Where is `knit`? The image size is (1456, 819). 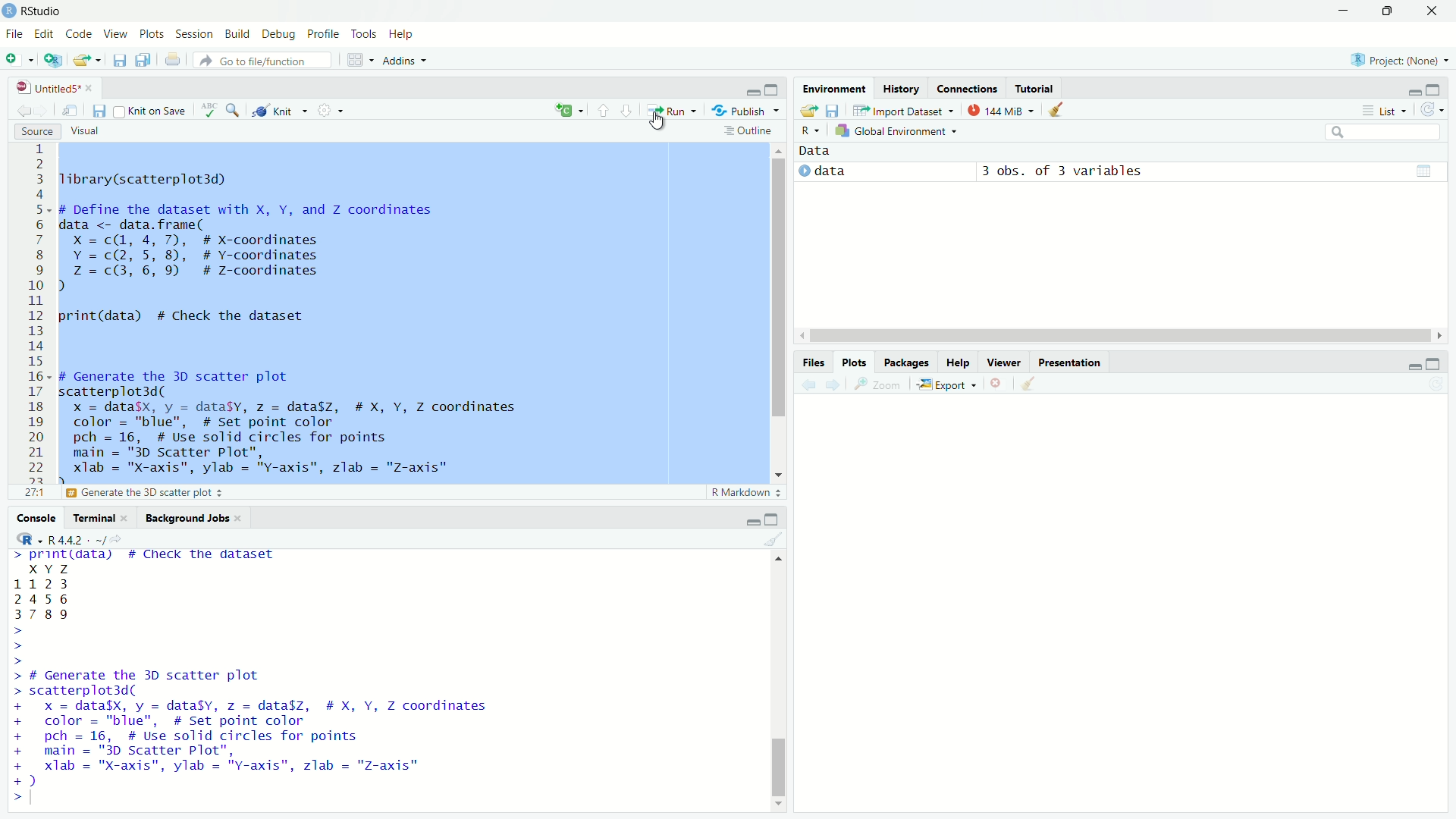
knit is located at coordinates (278, 108).